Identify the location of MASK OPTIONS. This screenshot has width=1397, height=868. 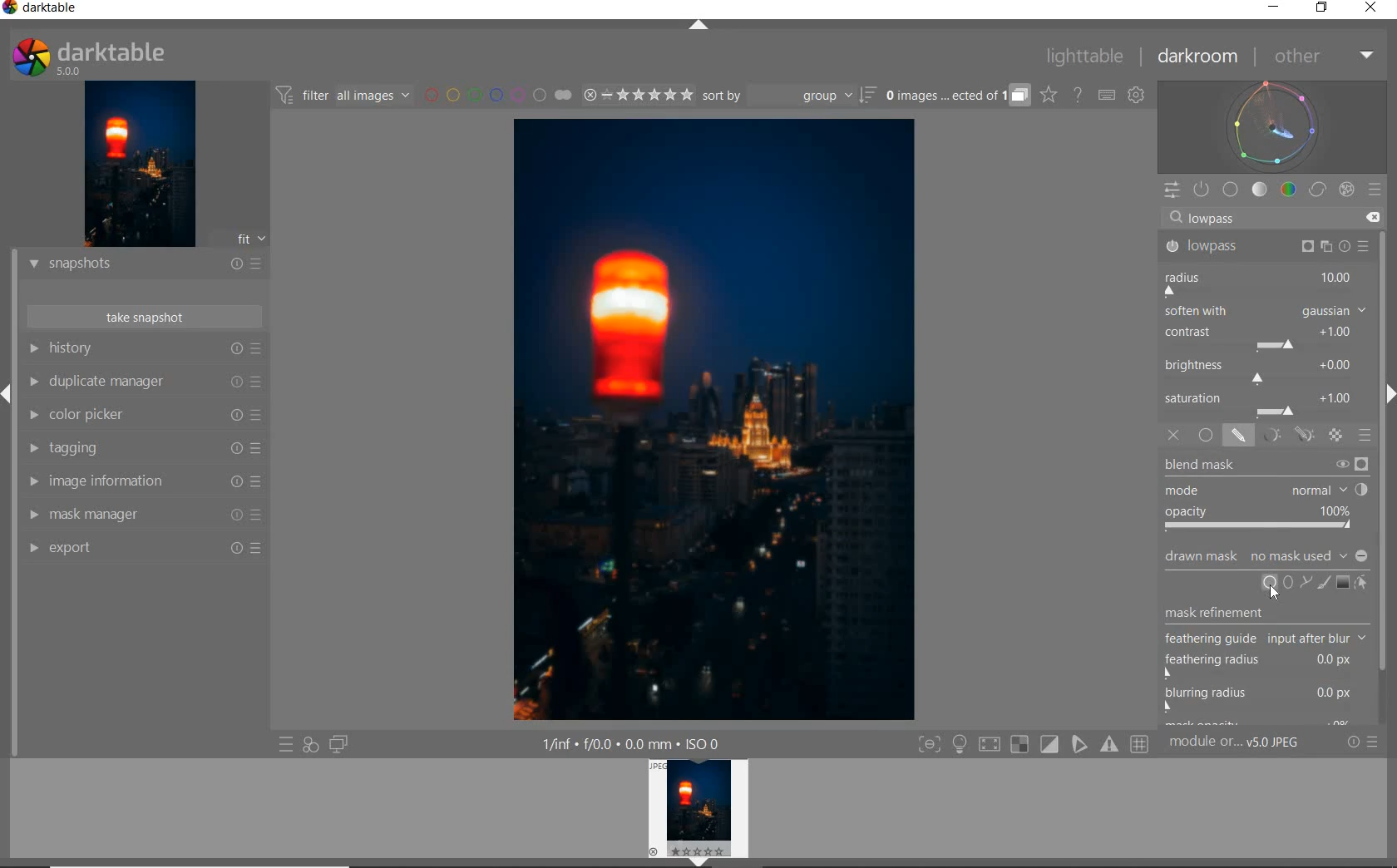
(1286, 436).